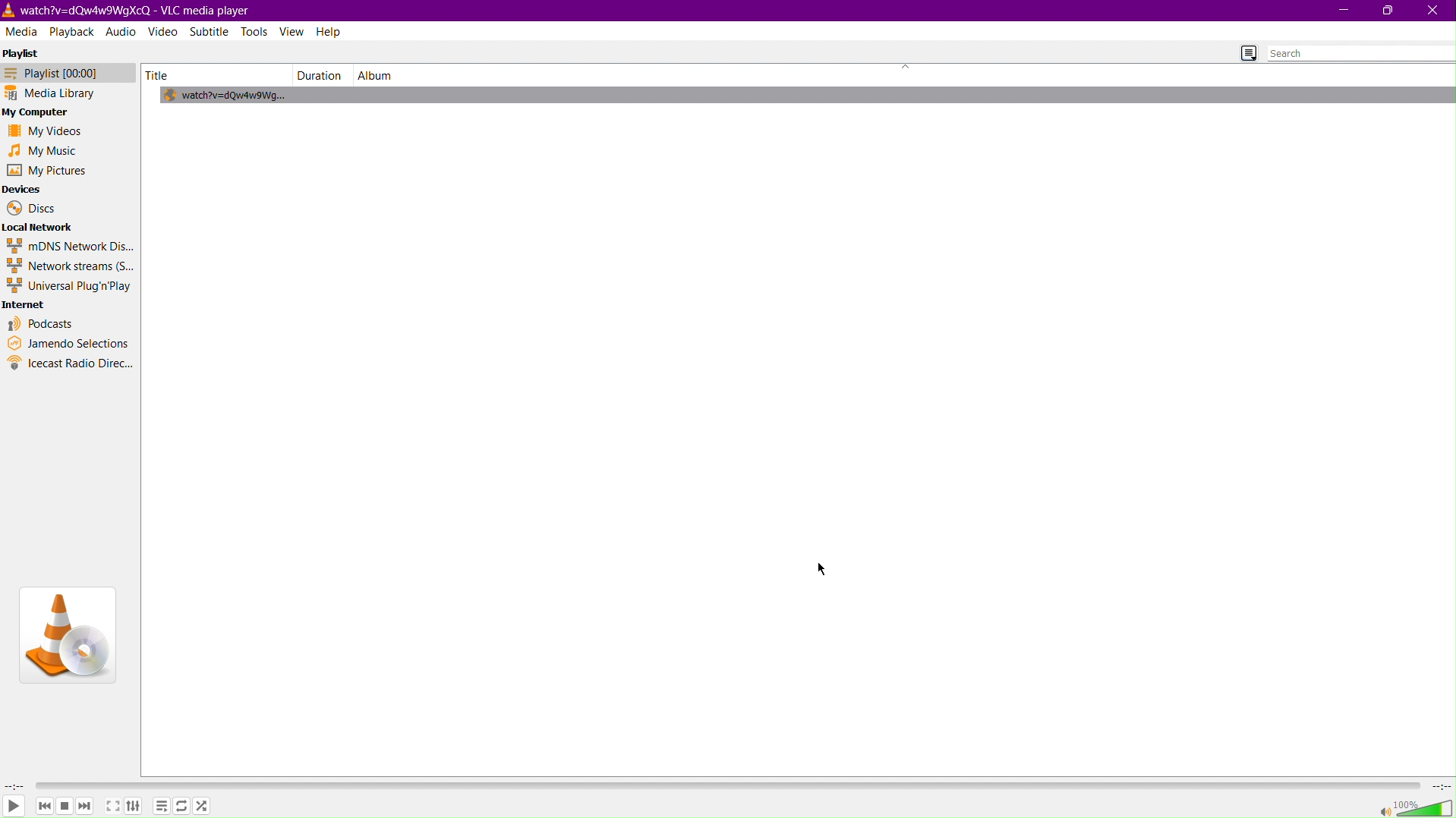  What do you see at coordinates (45, 807) in the screenshot?
I see `Skip Back` at bounding box center [45, 807].